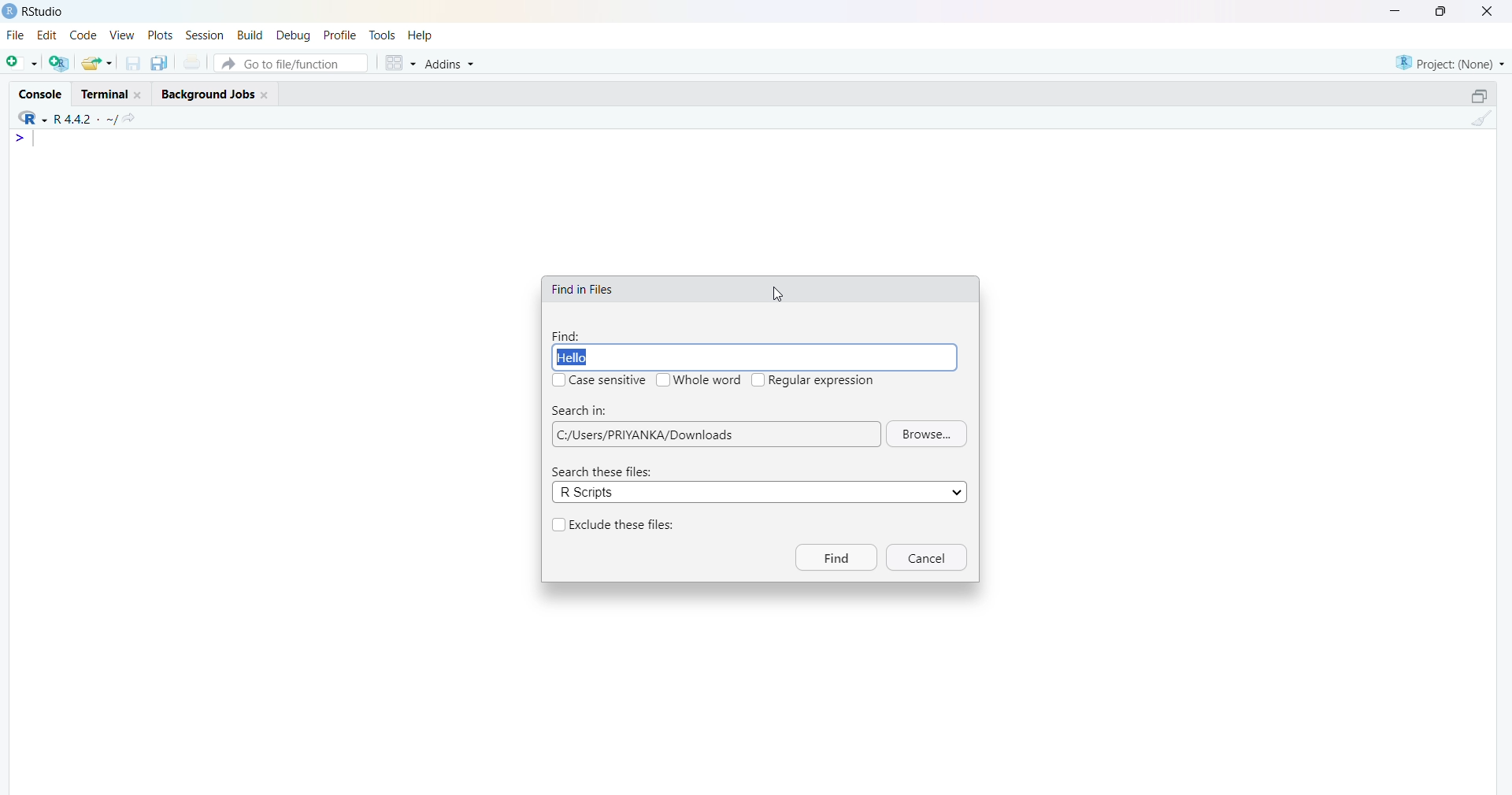 The width and height of the screenshot is (1512, 795). Describe the element at coordinates (610, 380) in the screenshot. I see `Case sensitive` at that location.